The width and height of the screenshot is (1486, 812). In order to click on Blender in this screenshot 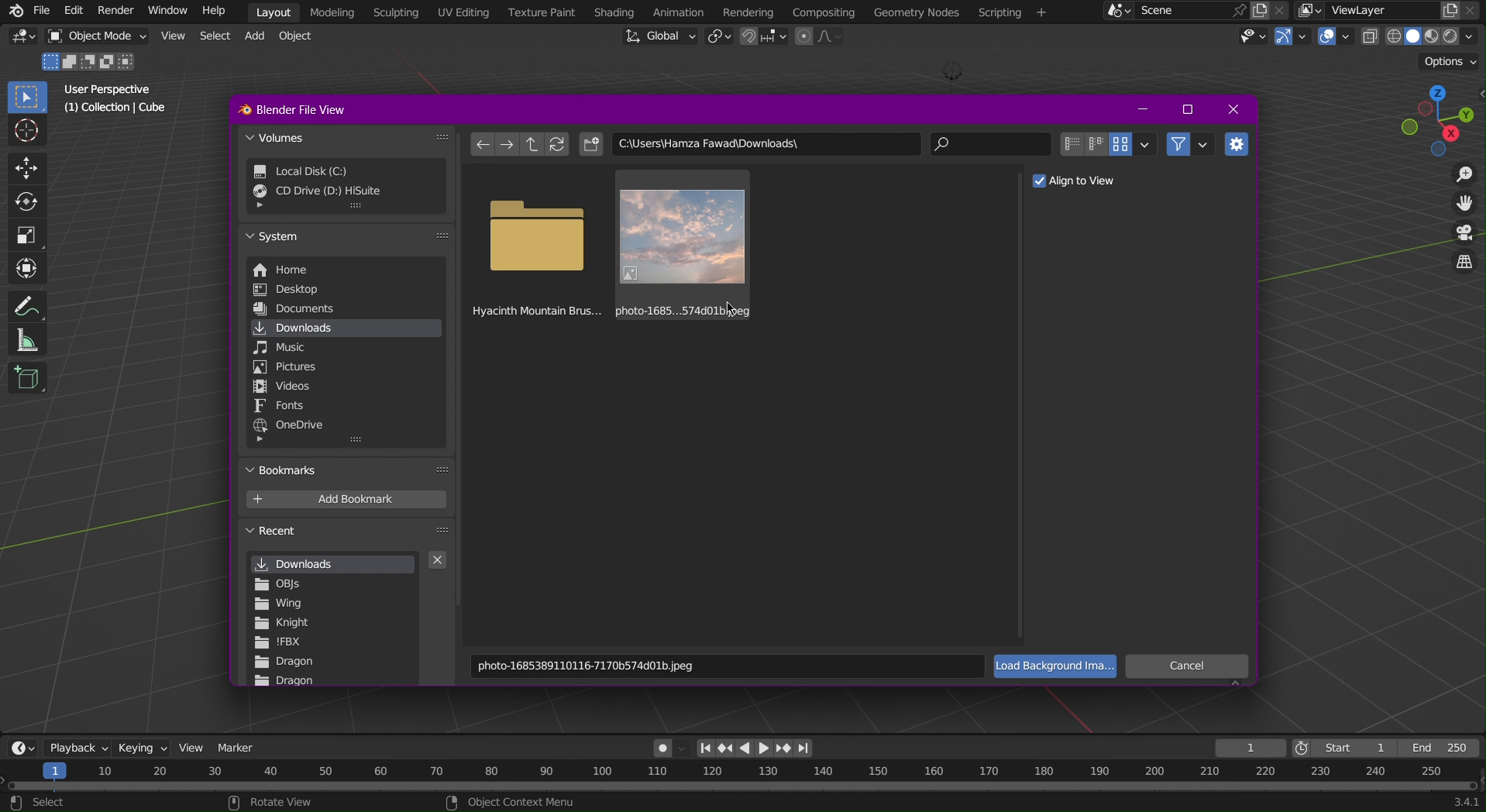, I will do `click(12, 10)`.